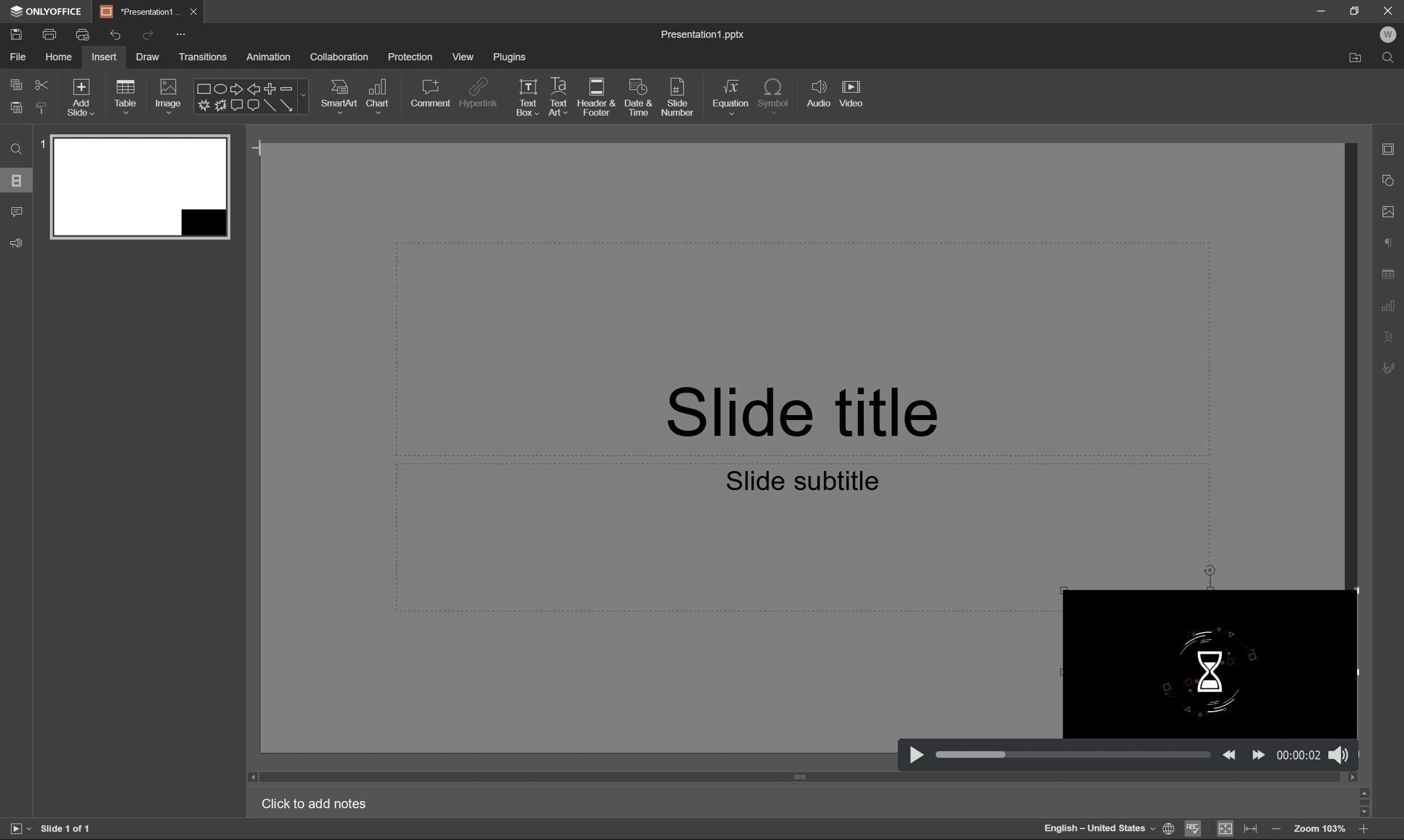 The image size is (1404, 840). Describe the element at coordinates (378, 96) in the screenshot. I see `chart` at that location.